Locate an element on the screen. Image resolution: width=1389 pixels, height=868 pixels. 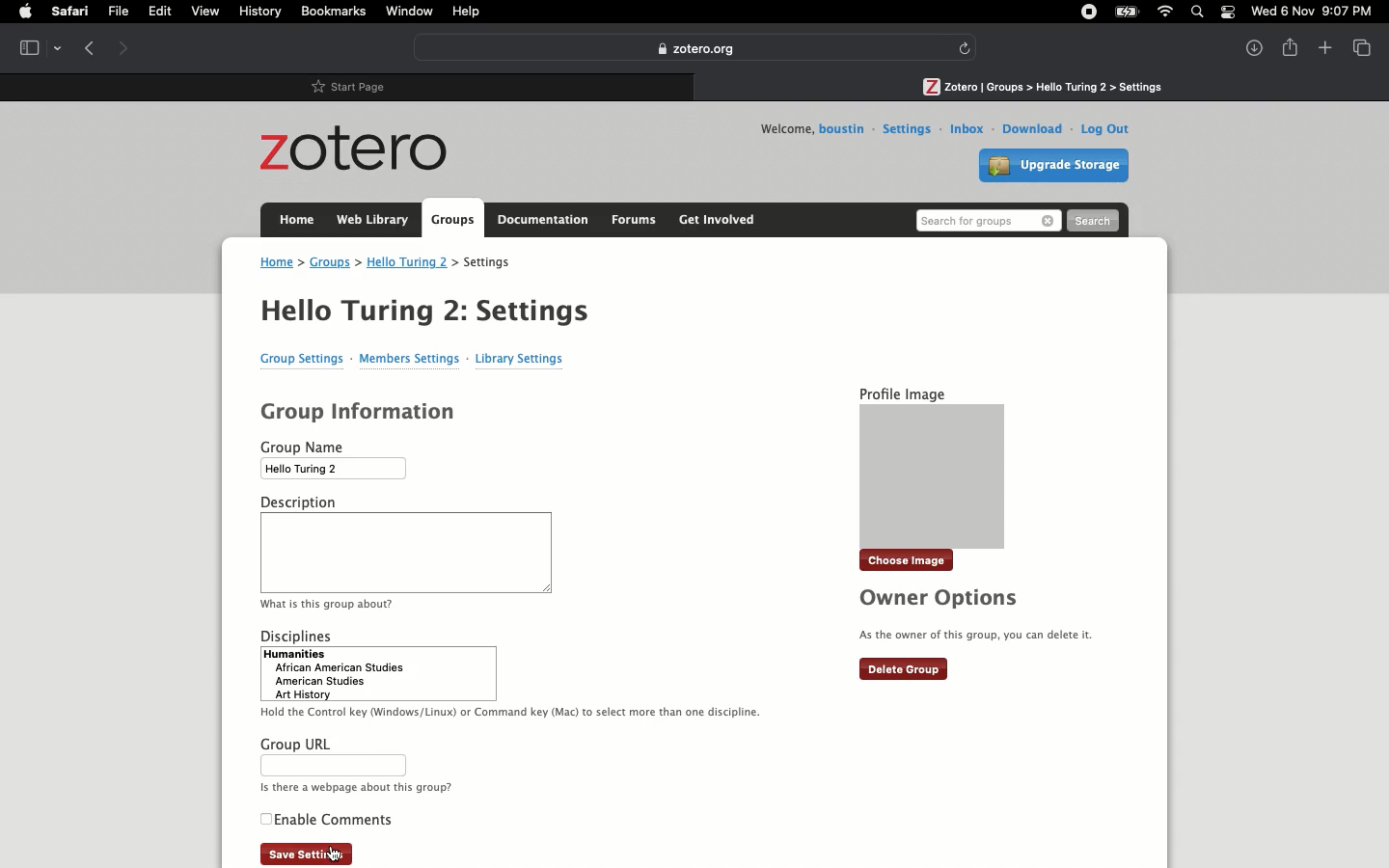
Downlaods is located at coordinates (1248, 46).